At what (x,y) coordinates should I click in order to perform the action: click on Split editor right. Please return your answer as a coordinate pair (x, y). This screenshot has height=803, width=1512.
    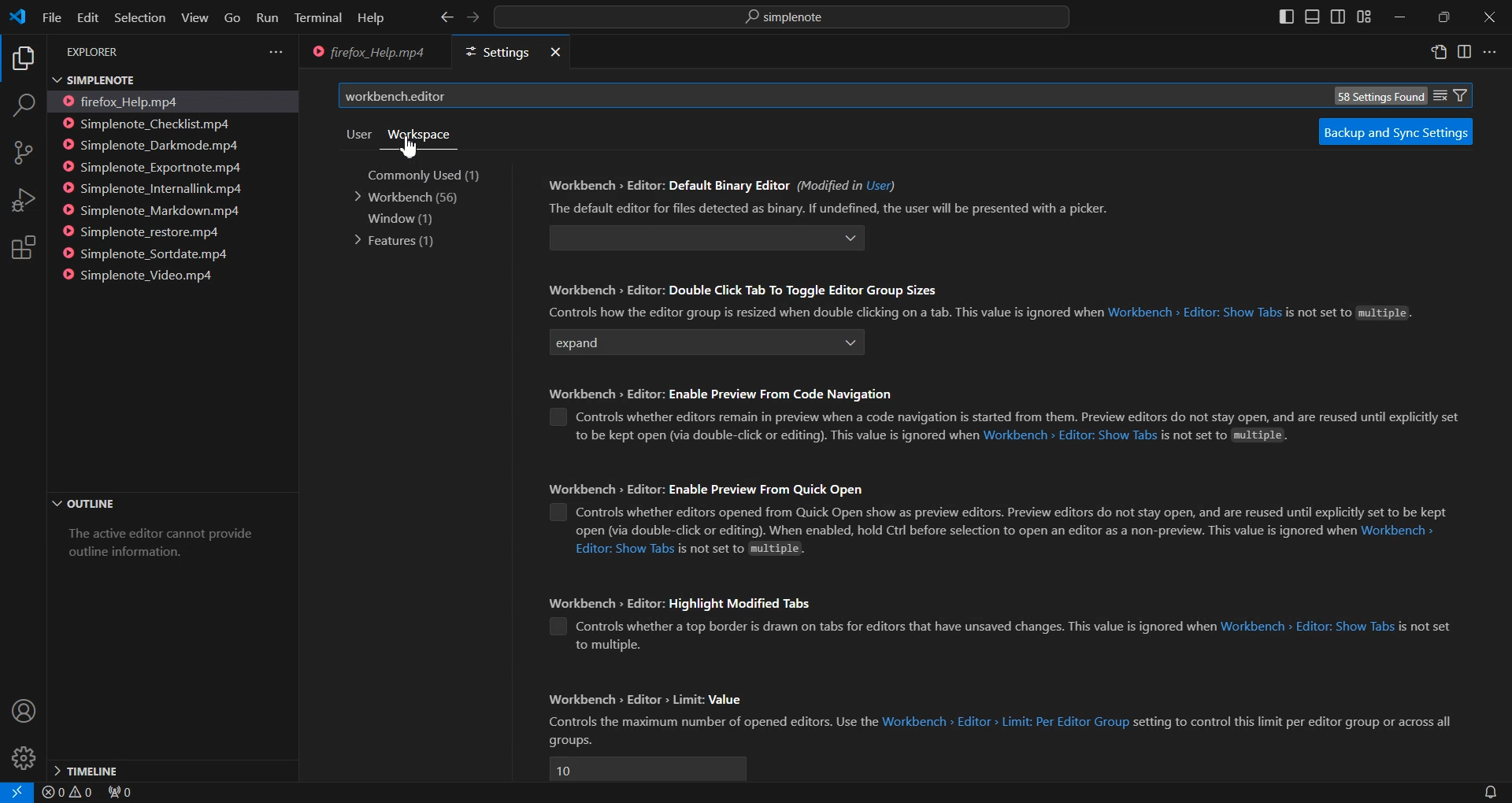
    Looking at the image, I should click on (1464, 52).